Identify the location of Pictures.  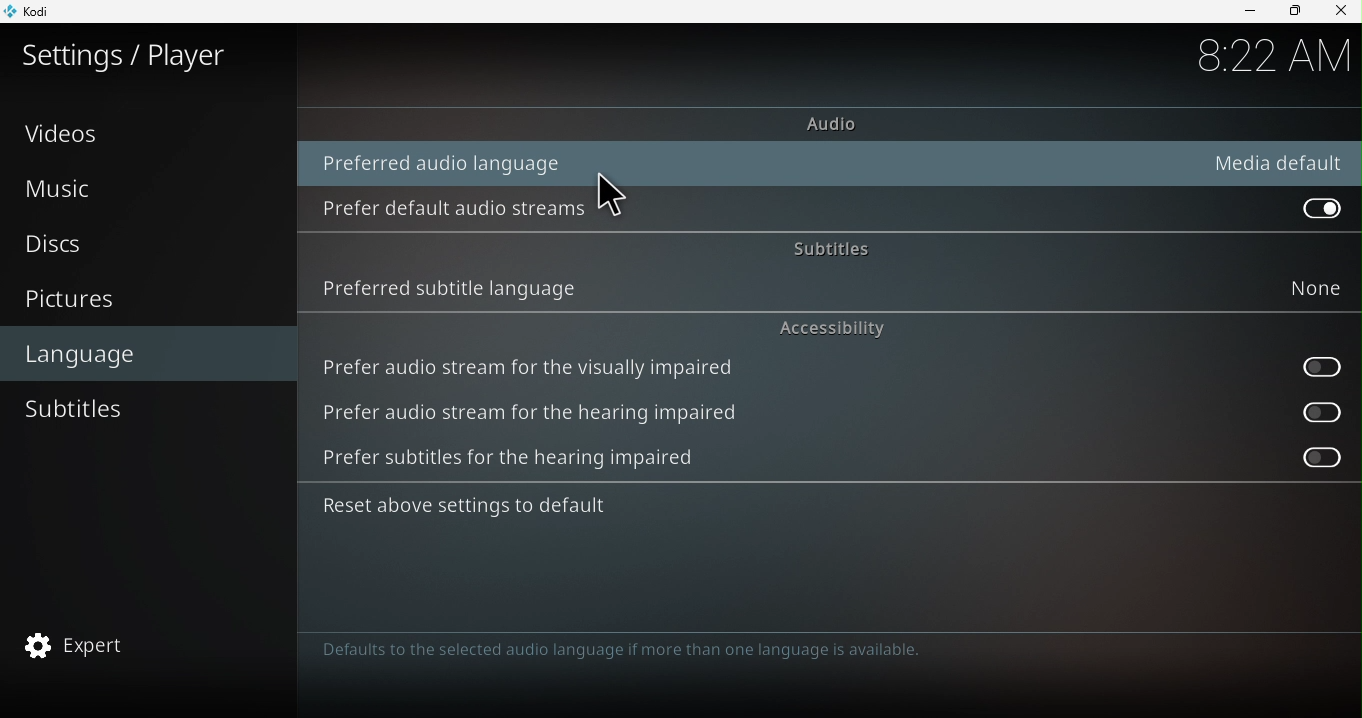
(147, 301).